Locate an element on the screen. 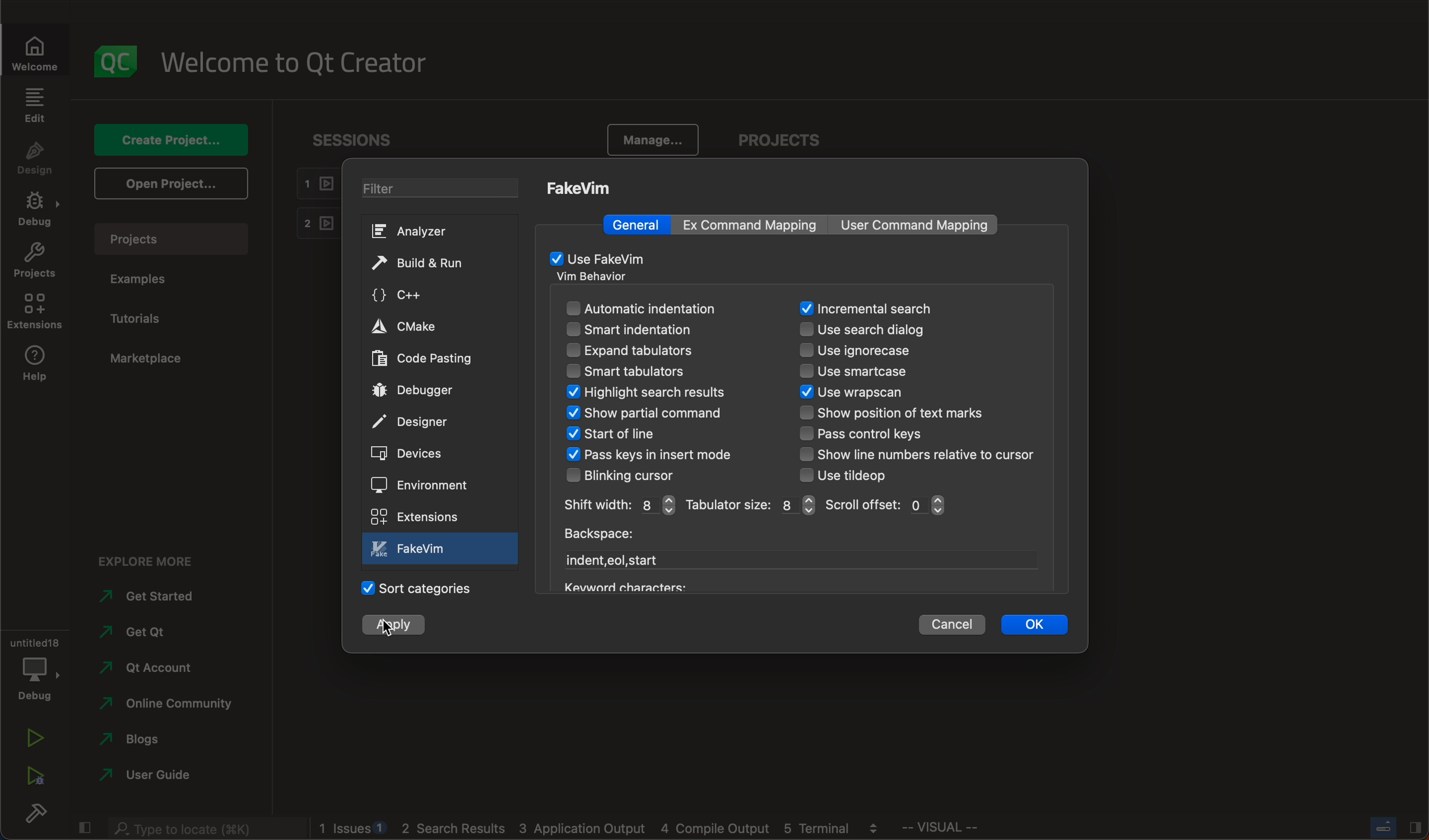 This screenshot has width=1429, height=840. extensions is located at coordinates (36, 310).